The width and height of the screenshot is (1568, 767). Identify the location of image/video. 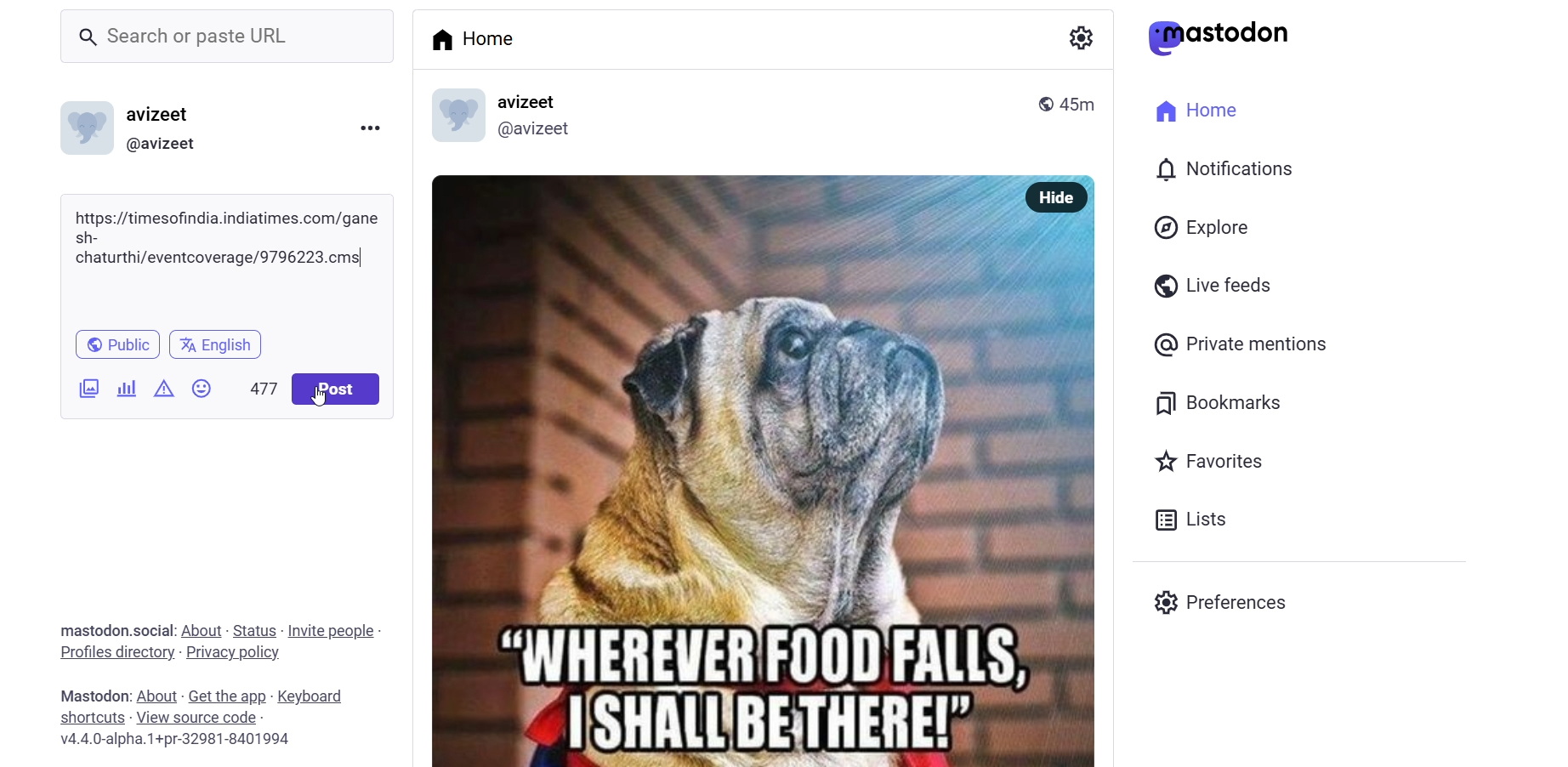
(90, 386).